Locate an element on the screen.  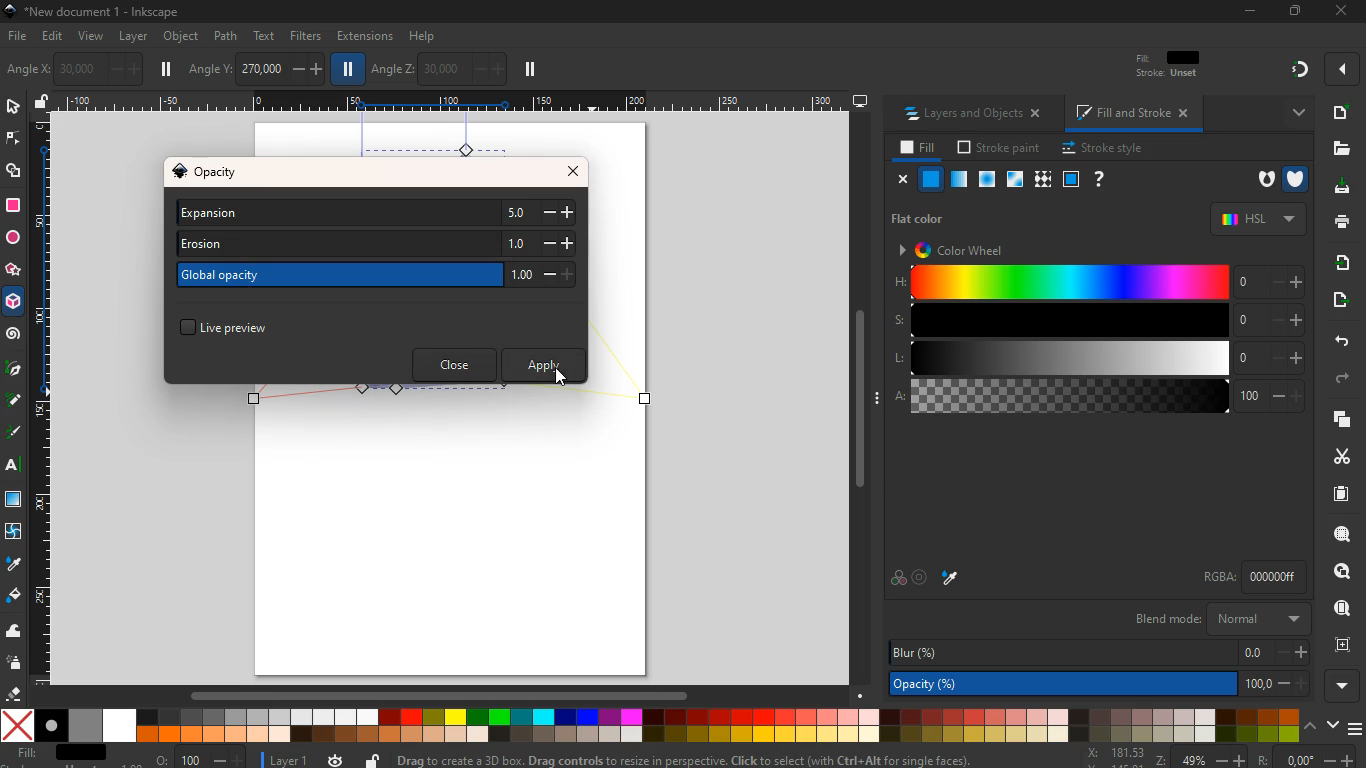
down is located at coordinates (1332, 726).